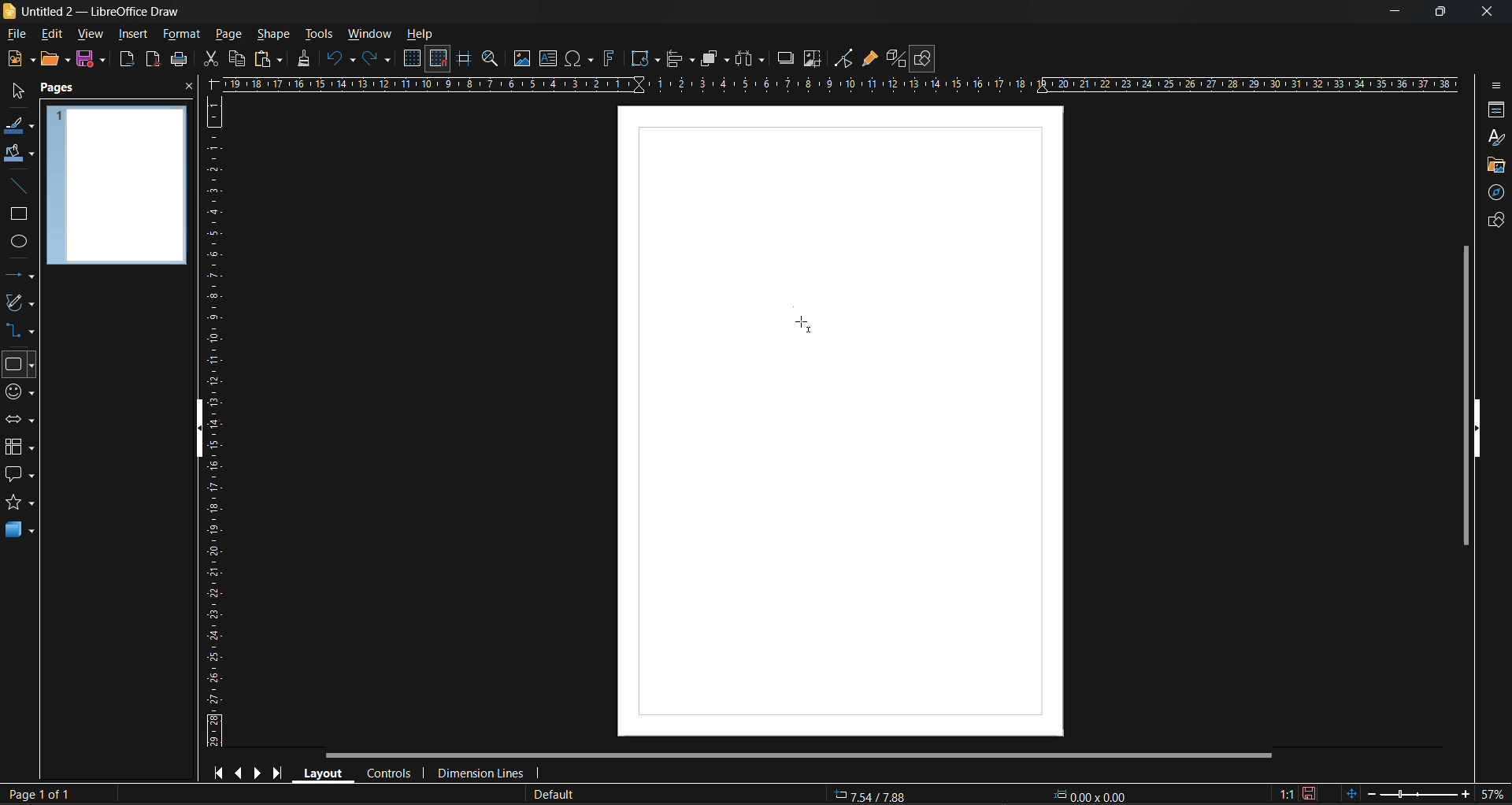 This screenshot has width=1512, height=805. What do you see at coordinates (1477, 429) in the screenshot?
I see `hide` at bounding box center [1477, 429].